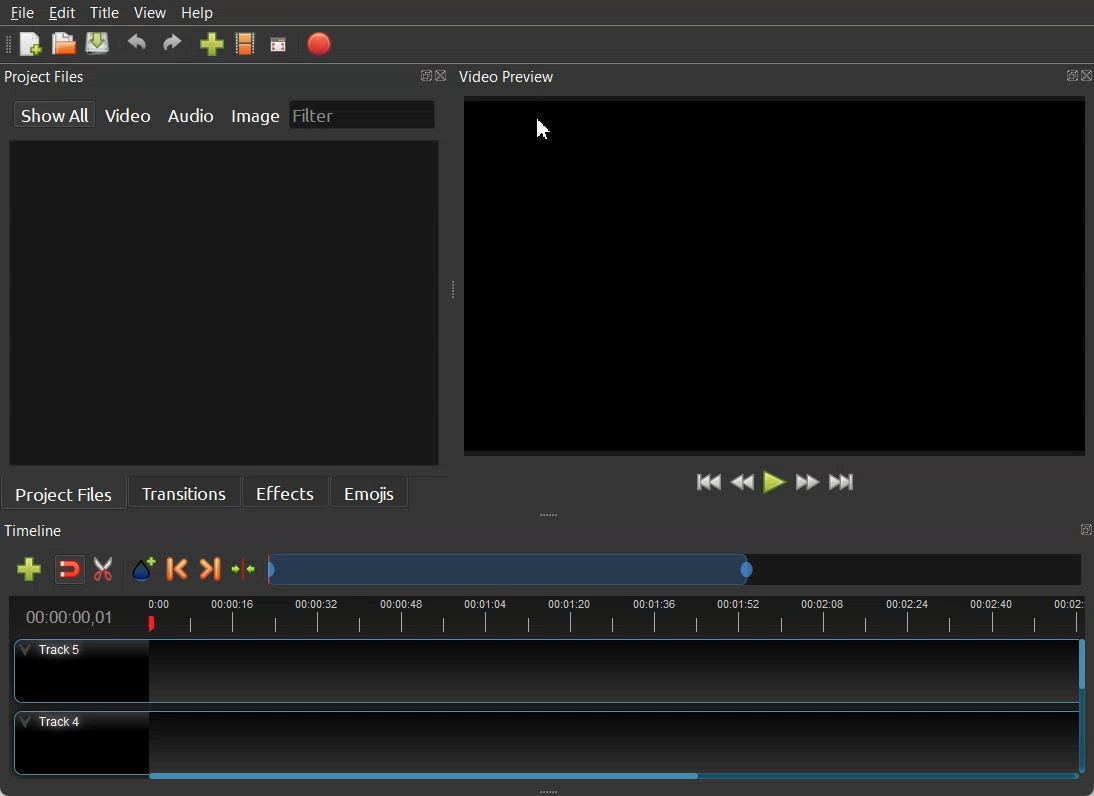 Image resolution: width=1094 pixels, height=796 pixels. What do you see at coordinates (1086, 76) in the screenshot?
I see `Close` at bounding box center [1086, 76].